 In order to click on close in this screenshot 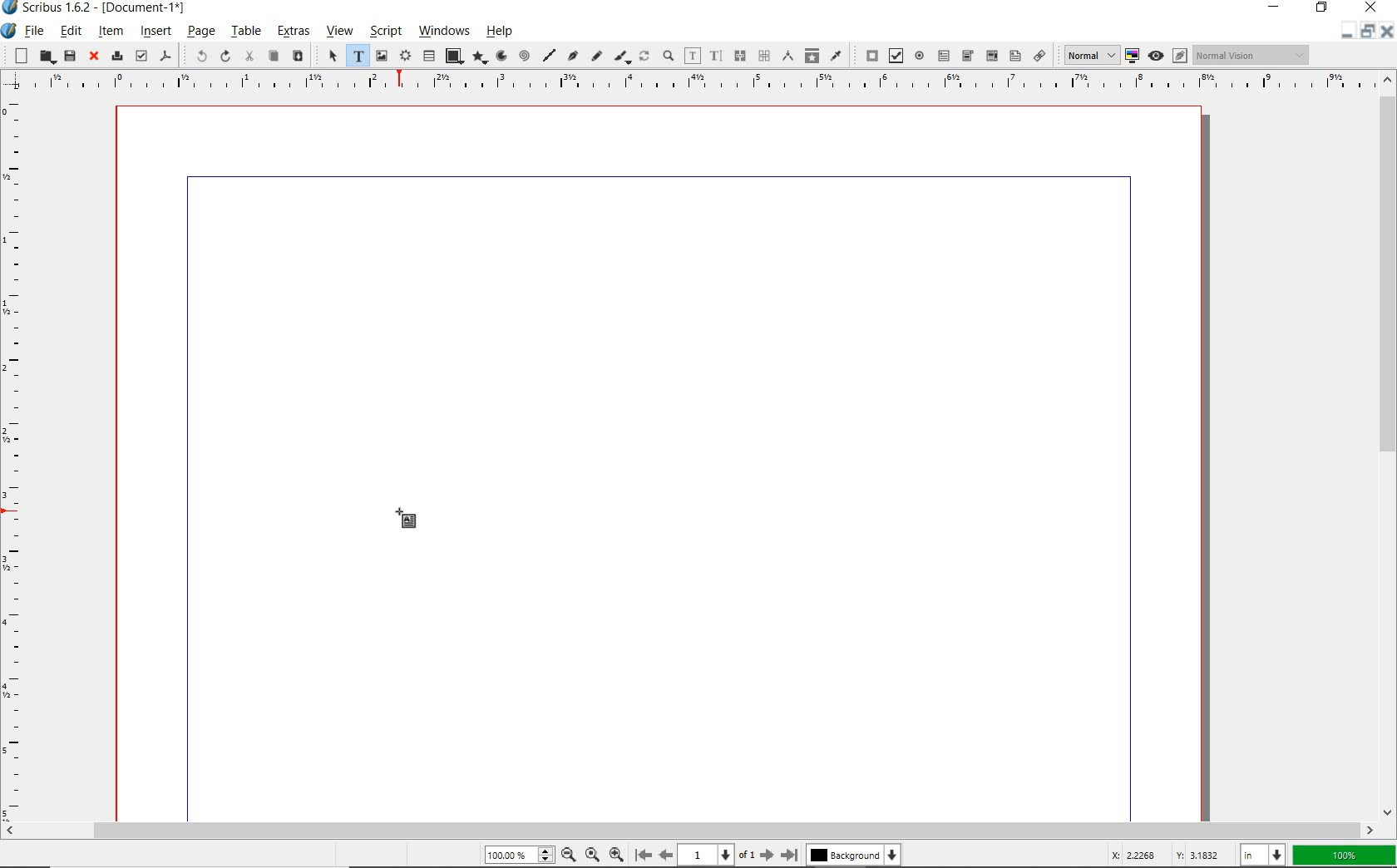, I will do `click(1371, 7)`.